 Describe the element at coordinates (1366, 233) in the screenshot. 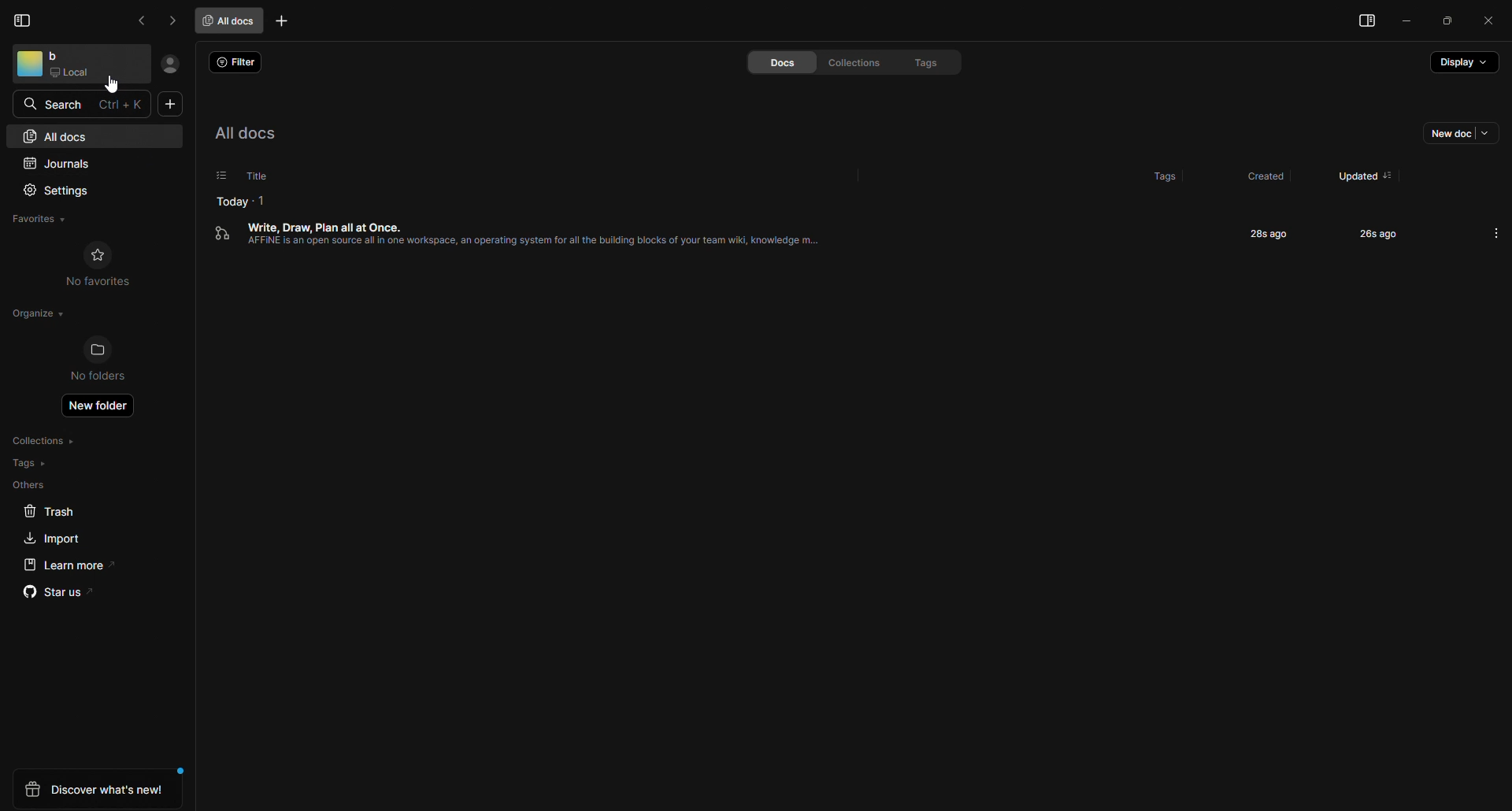

I see `time` at that location.